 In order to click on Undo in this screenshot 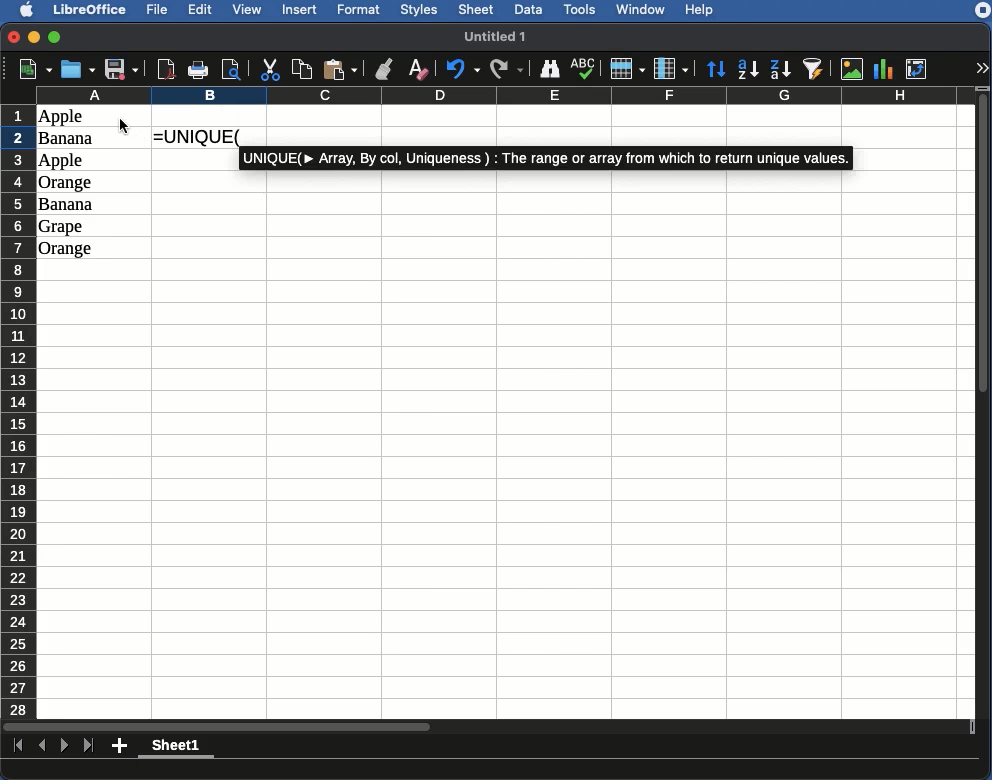, I will do `click(462, 70)`.